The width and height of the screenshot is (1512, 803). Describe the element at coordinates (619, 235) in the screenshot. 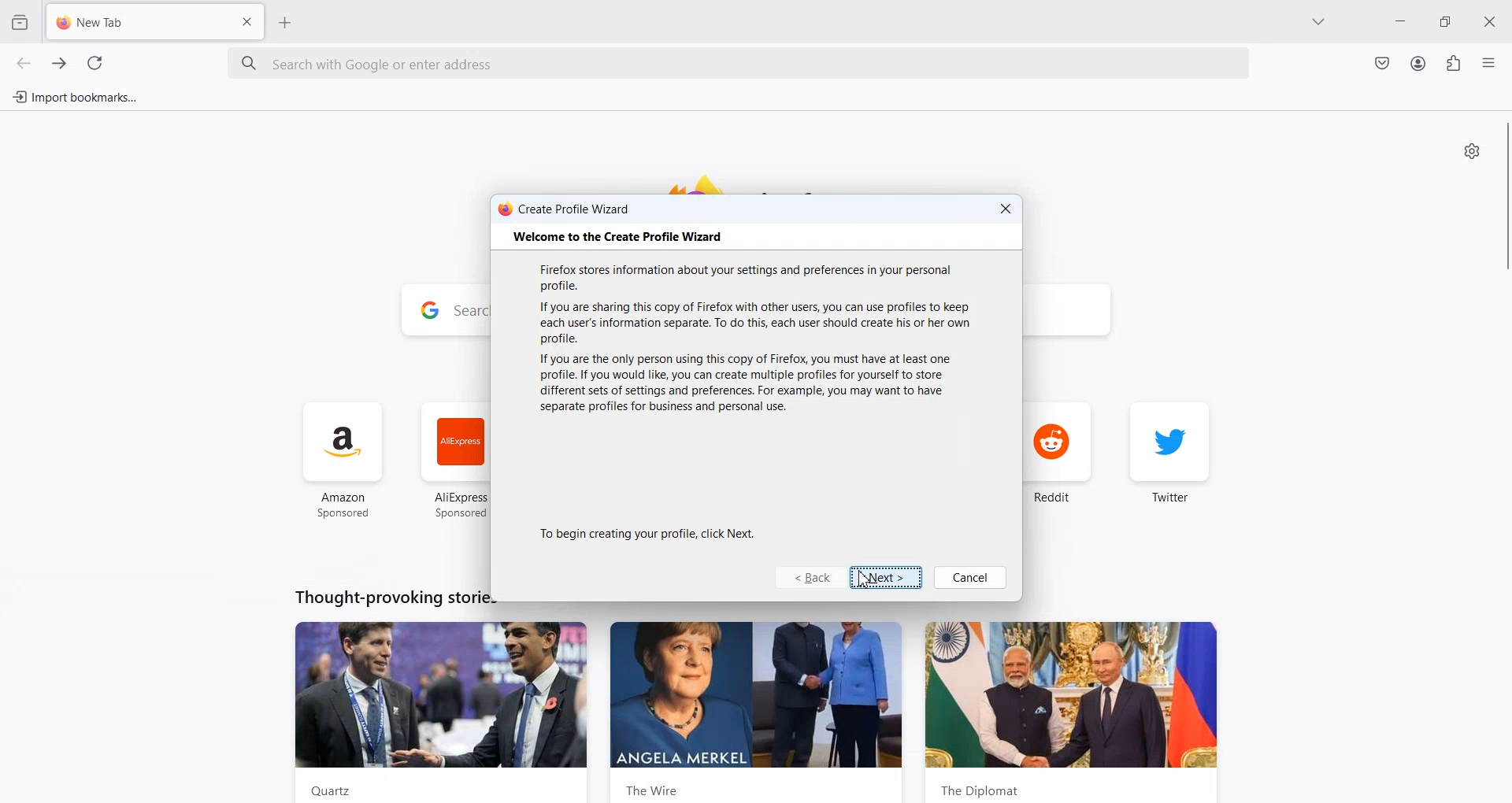

I see `‘Welcome to the Create Profile Wizard` at that location.